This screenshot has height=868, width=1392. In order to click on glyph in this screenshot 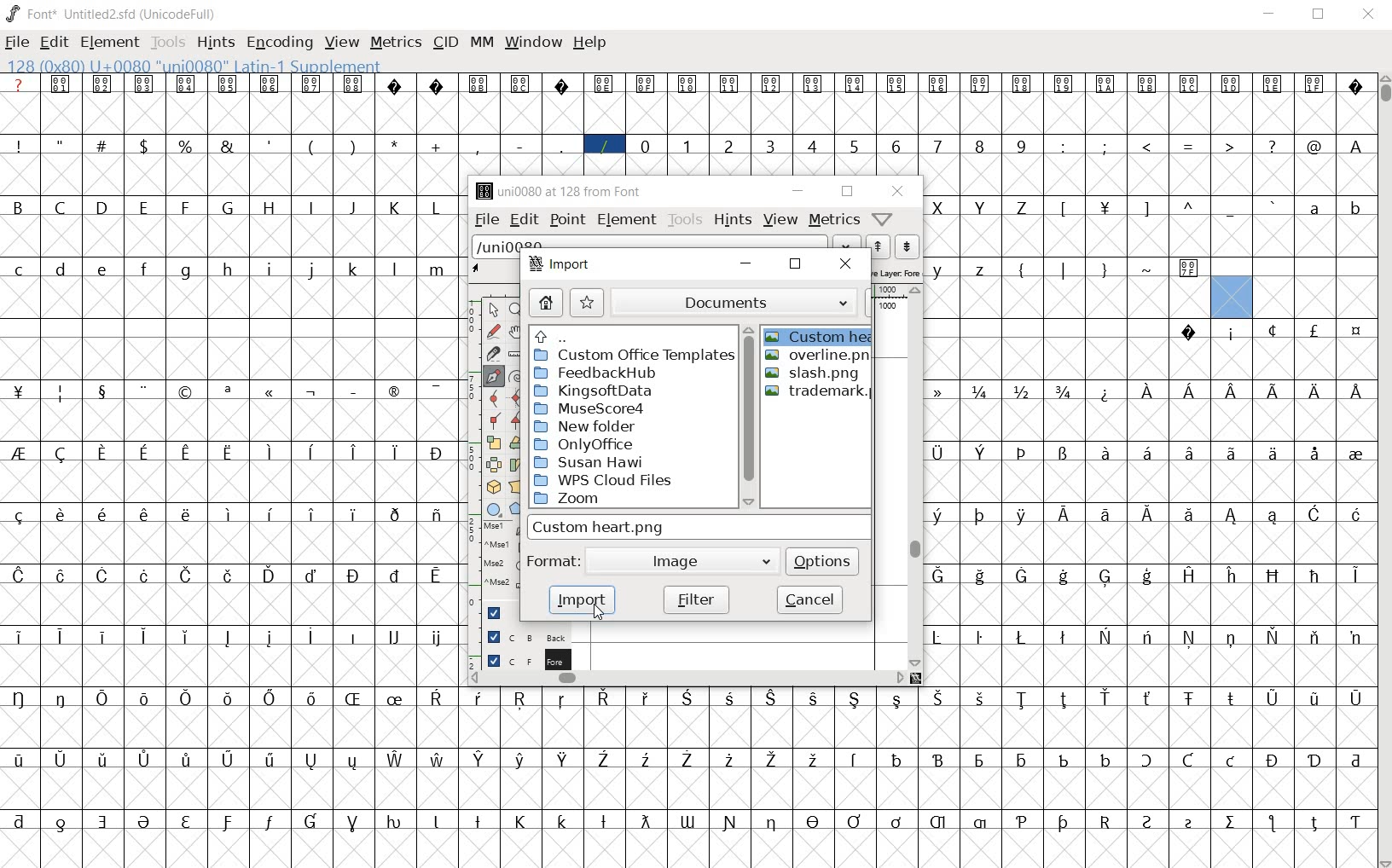, I will do `click(435, 454)`.